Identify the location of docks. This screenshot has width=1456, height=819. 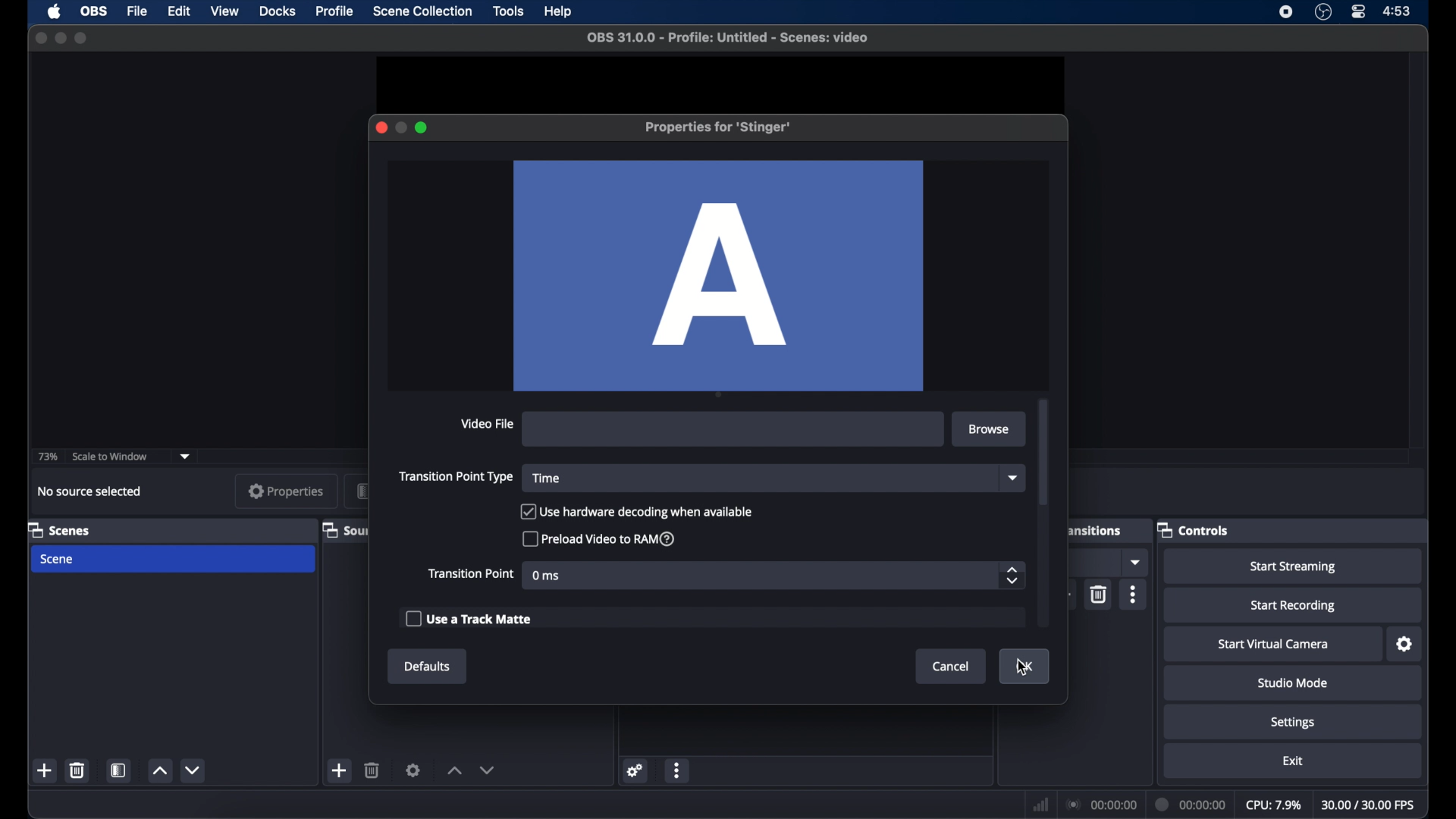
(278, 11).